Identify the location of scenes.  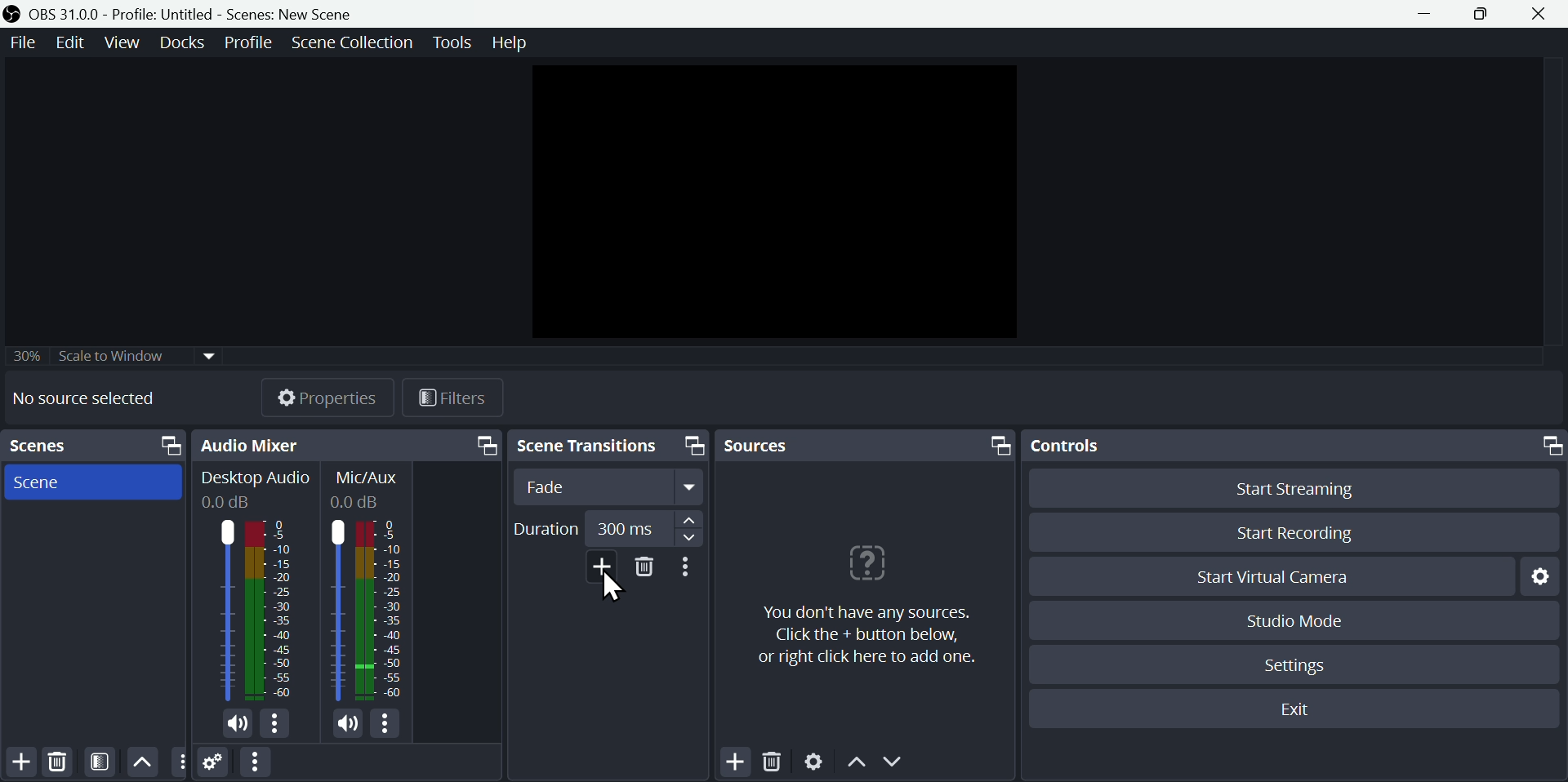
(93, 482).